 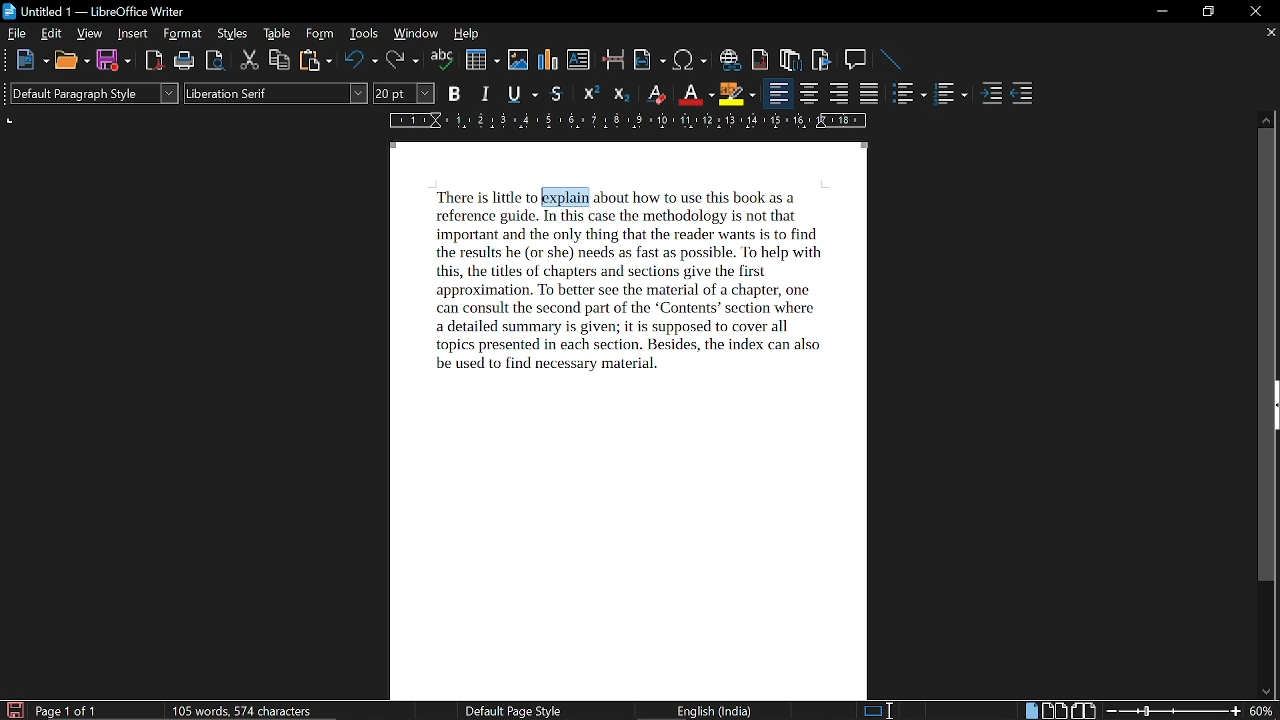 I want to click on insert text, so click(x=578, y=60).